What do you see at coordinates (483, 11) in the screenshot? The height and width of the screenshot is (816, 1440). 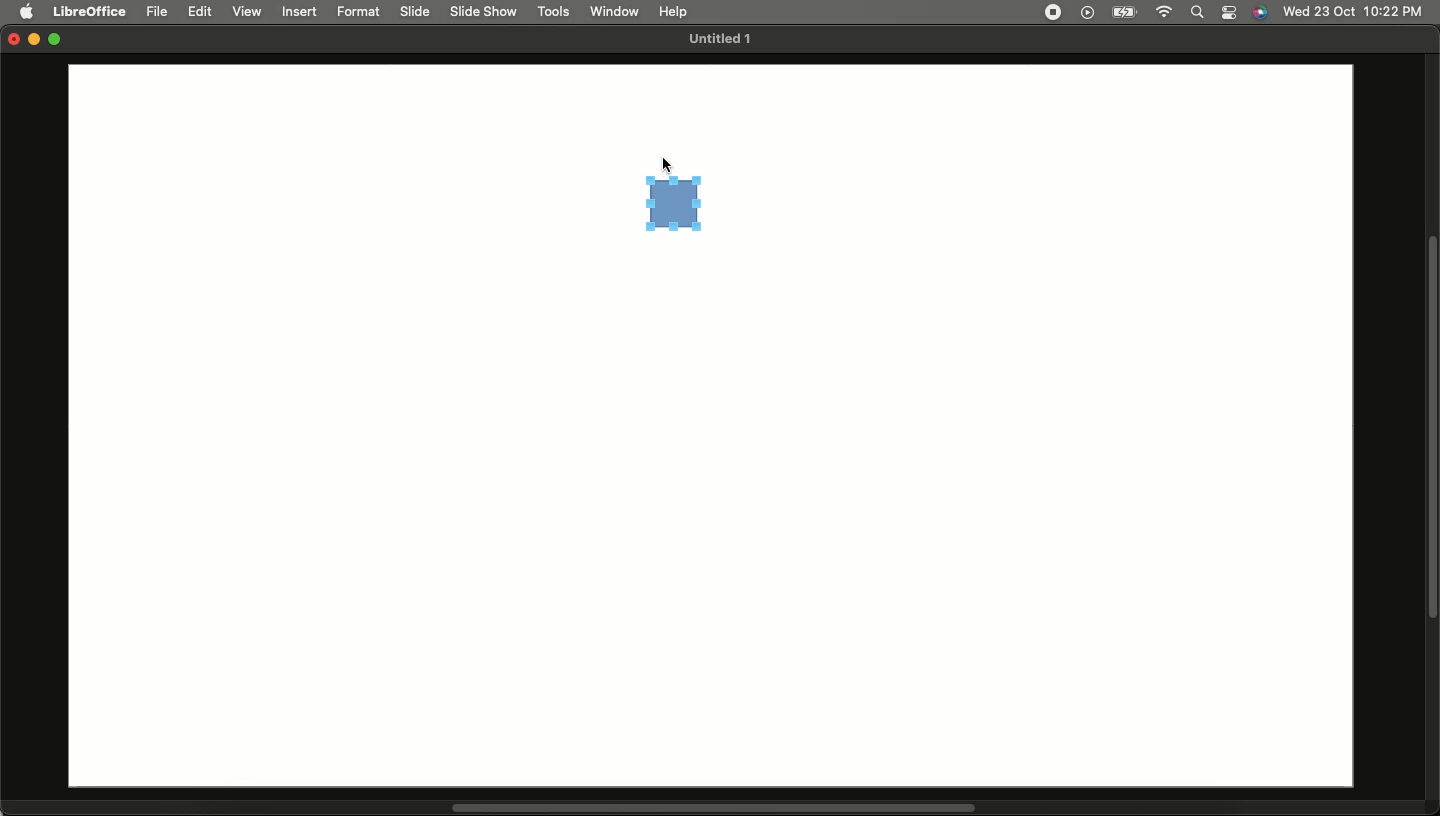 I see `Slide show` at bounding box center [483, 11].